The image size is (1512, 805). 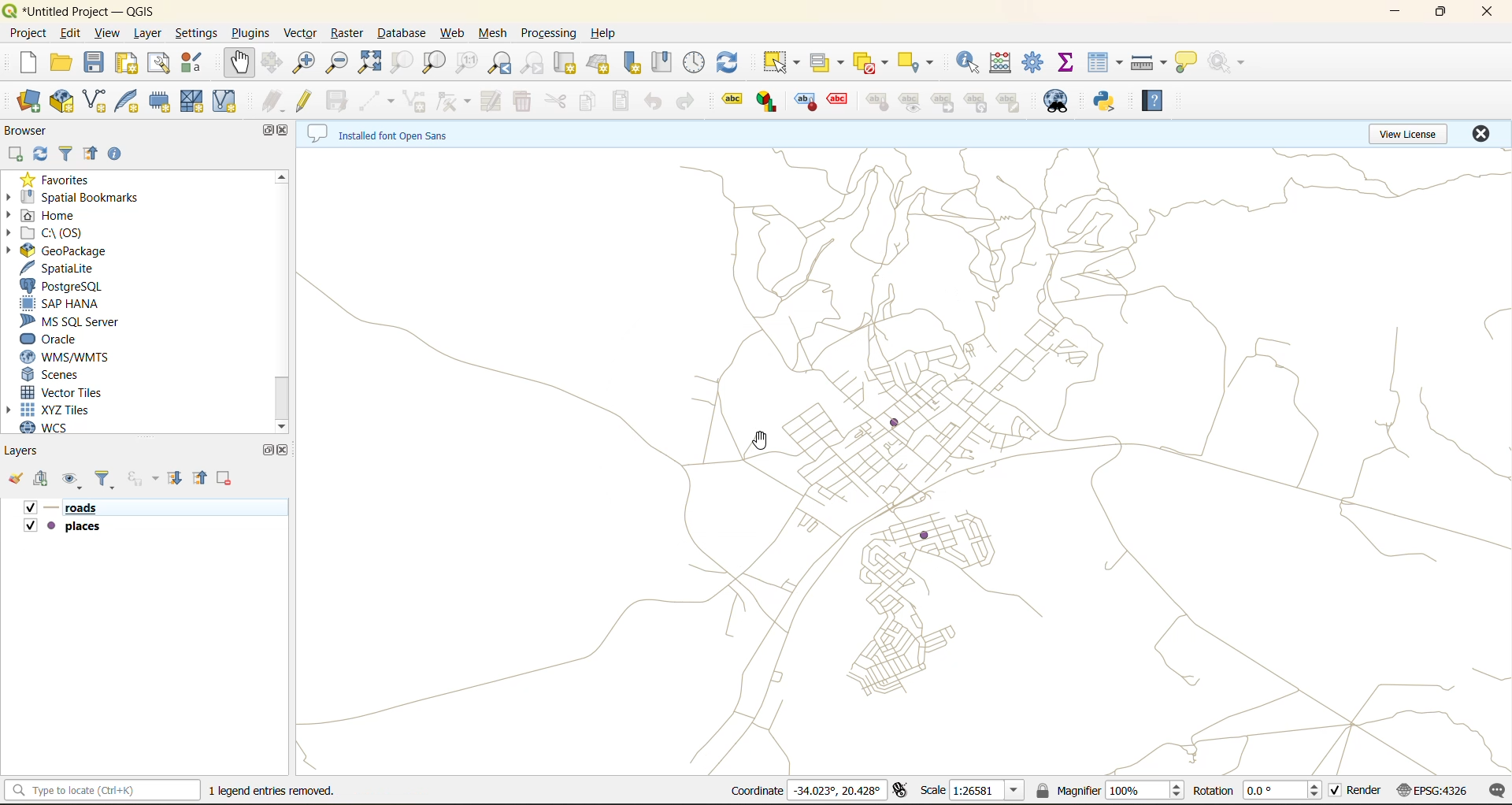 I want to click on layers, so click(x=87, y=529).